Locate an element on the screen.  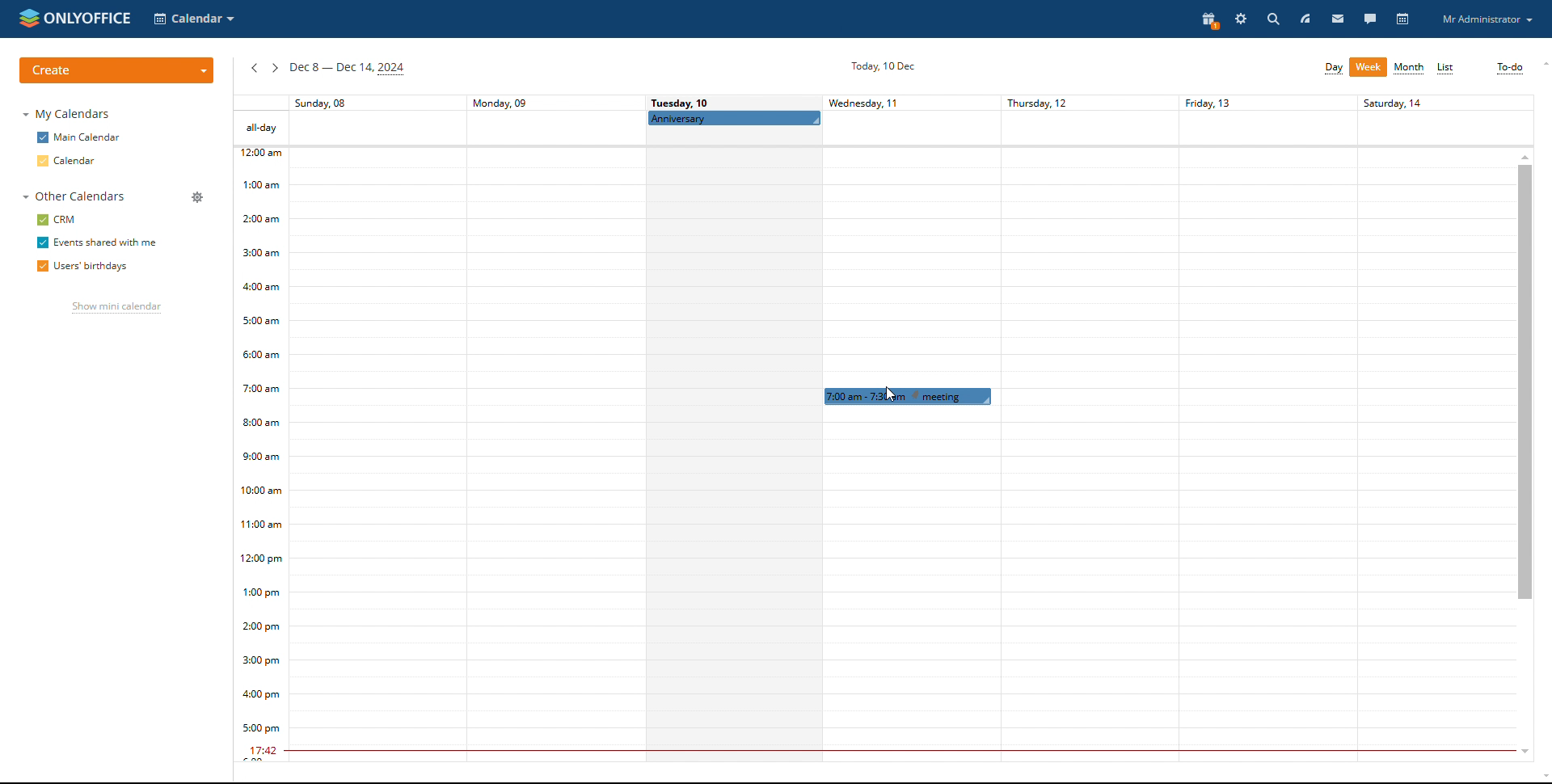
previous week is located at coordinates (254, 70).